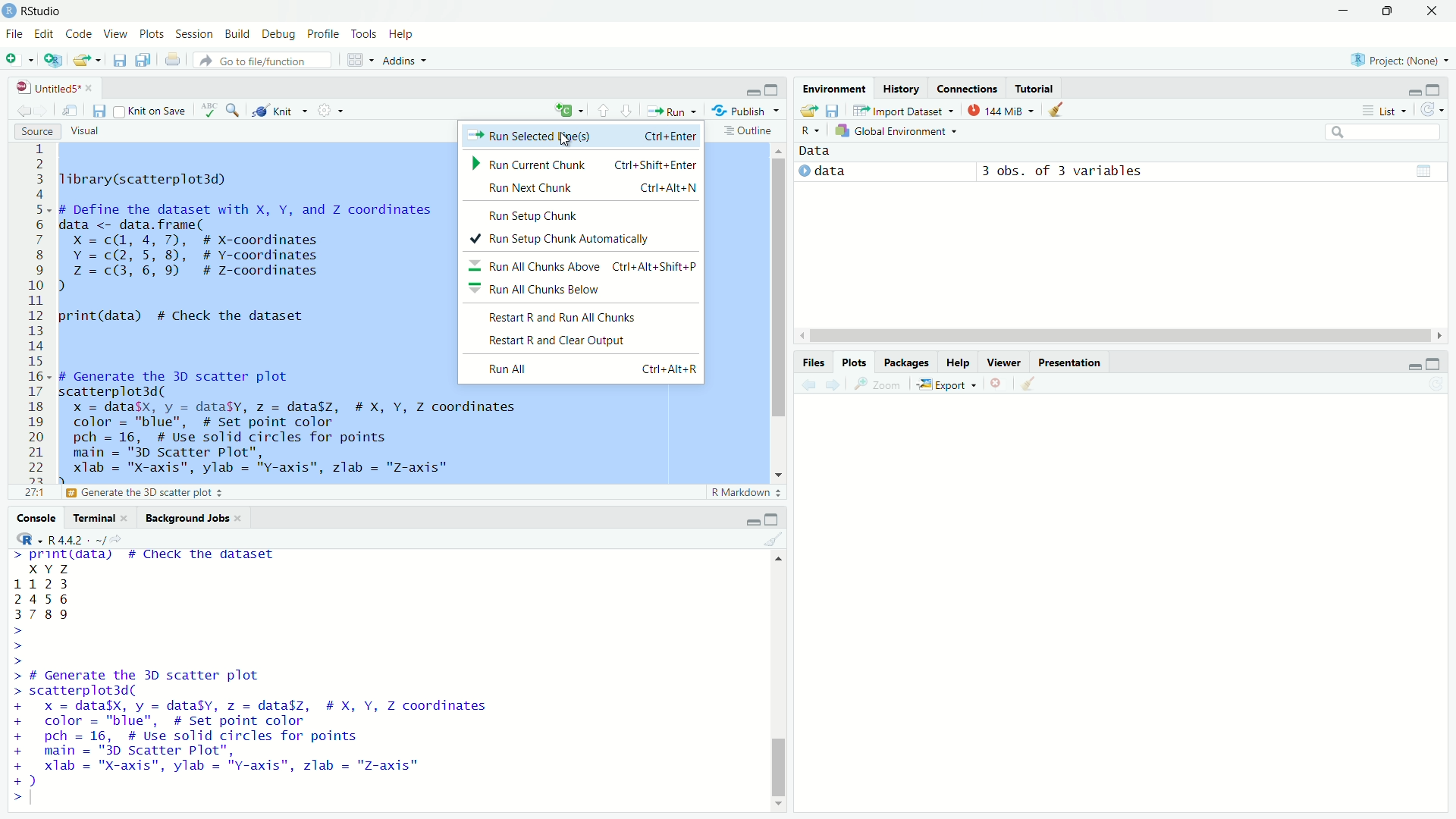  Describe the element at coordinates (32, 493) in the screenshot. I see `12:33` at that location.